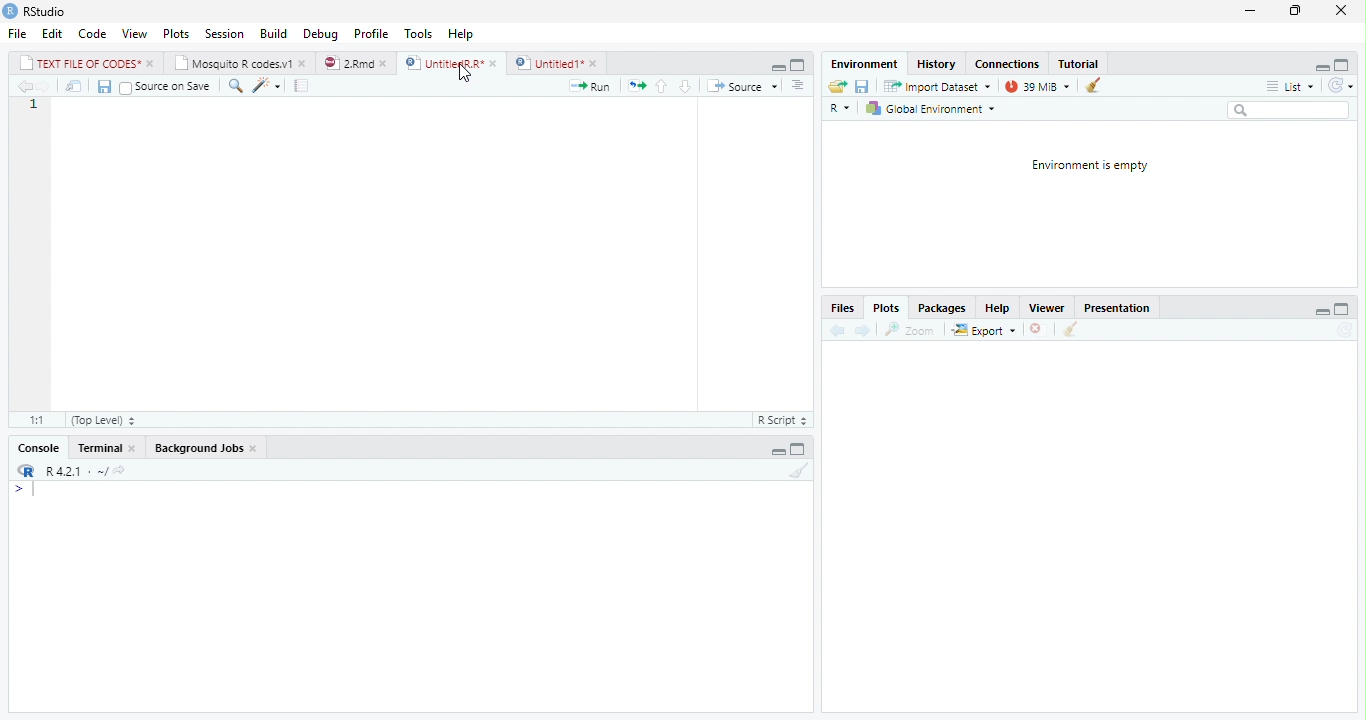 The image size is (1366, 720). What do you see at coordinates (206, 447) in the screenshot?
I see `Background Jobs` at bounding box center [206, 447].